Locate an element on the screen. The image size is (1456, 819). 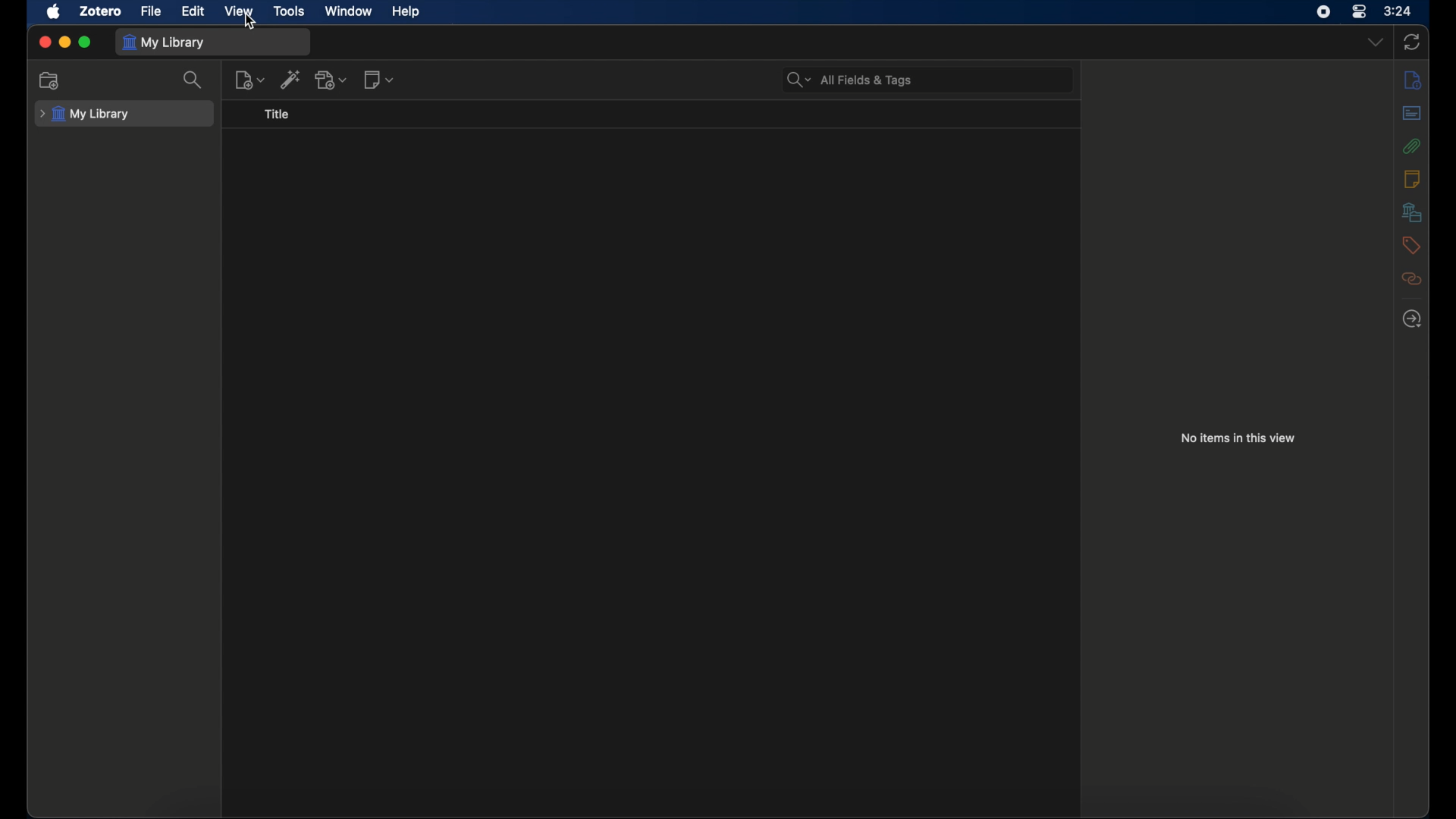
abstract is located at coordinates (1412, 112).